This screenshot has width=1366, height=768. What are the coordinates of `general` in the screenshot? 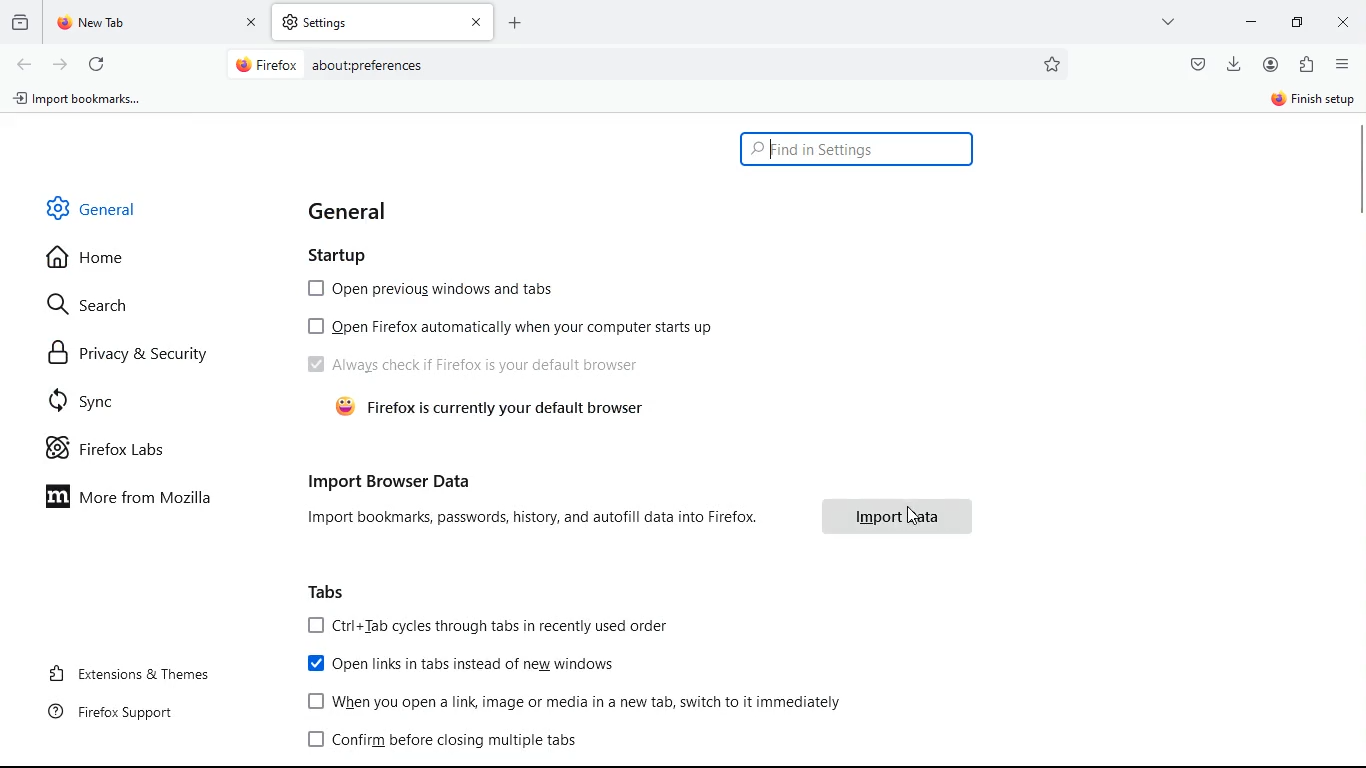 It's located at (355, 211).